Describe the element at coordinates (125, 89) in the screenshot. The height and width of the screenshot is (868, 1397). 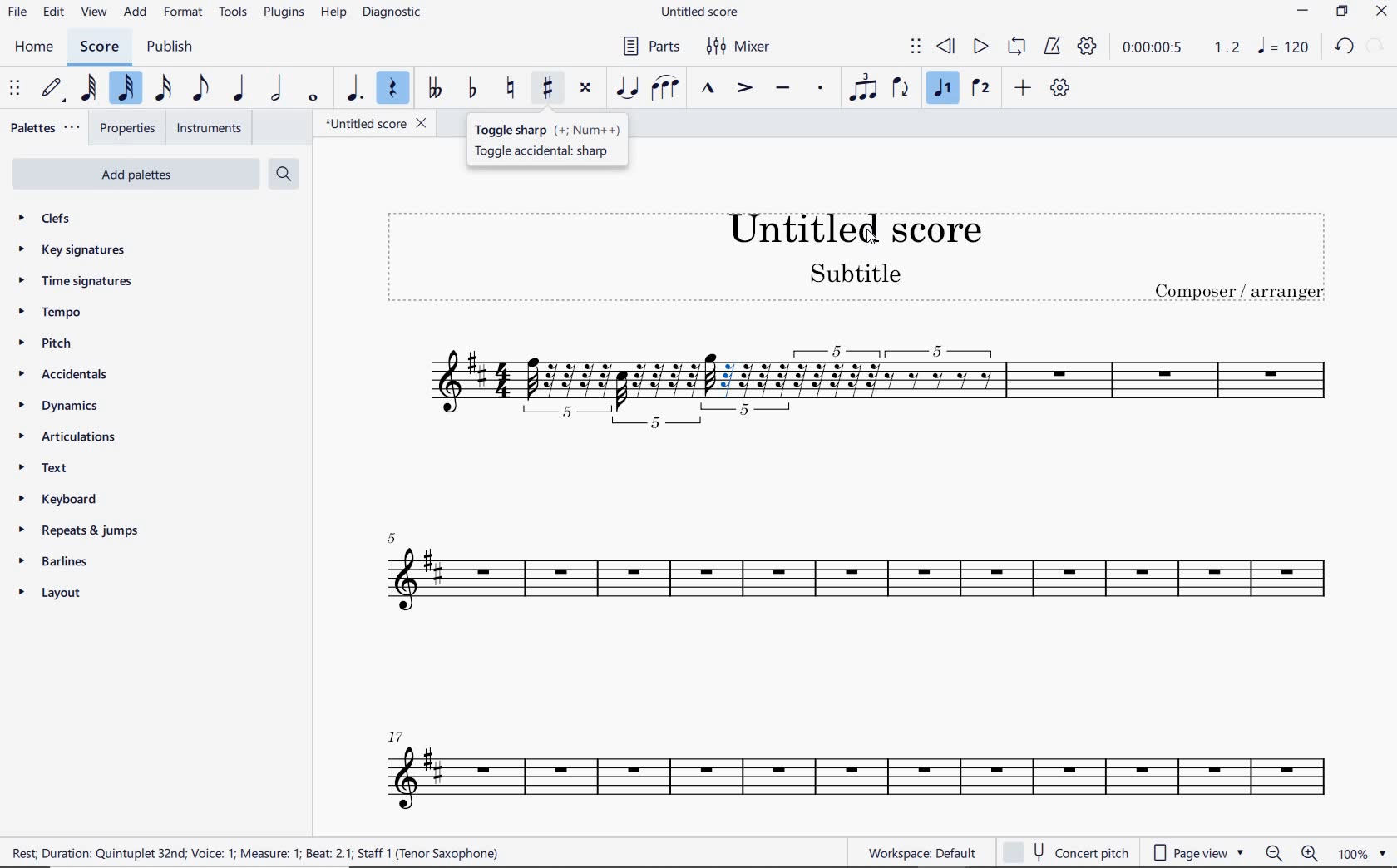
I see `32ND NOTE` at that location.